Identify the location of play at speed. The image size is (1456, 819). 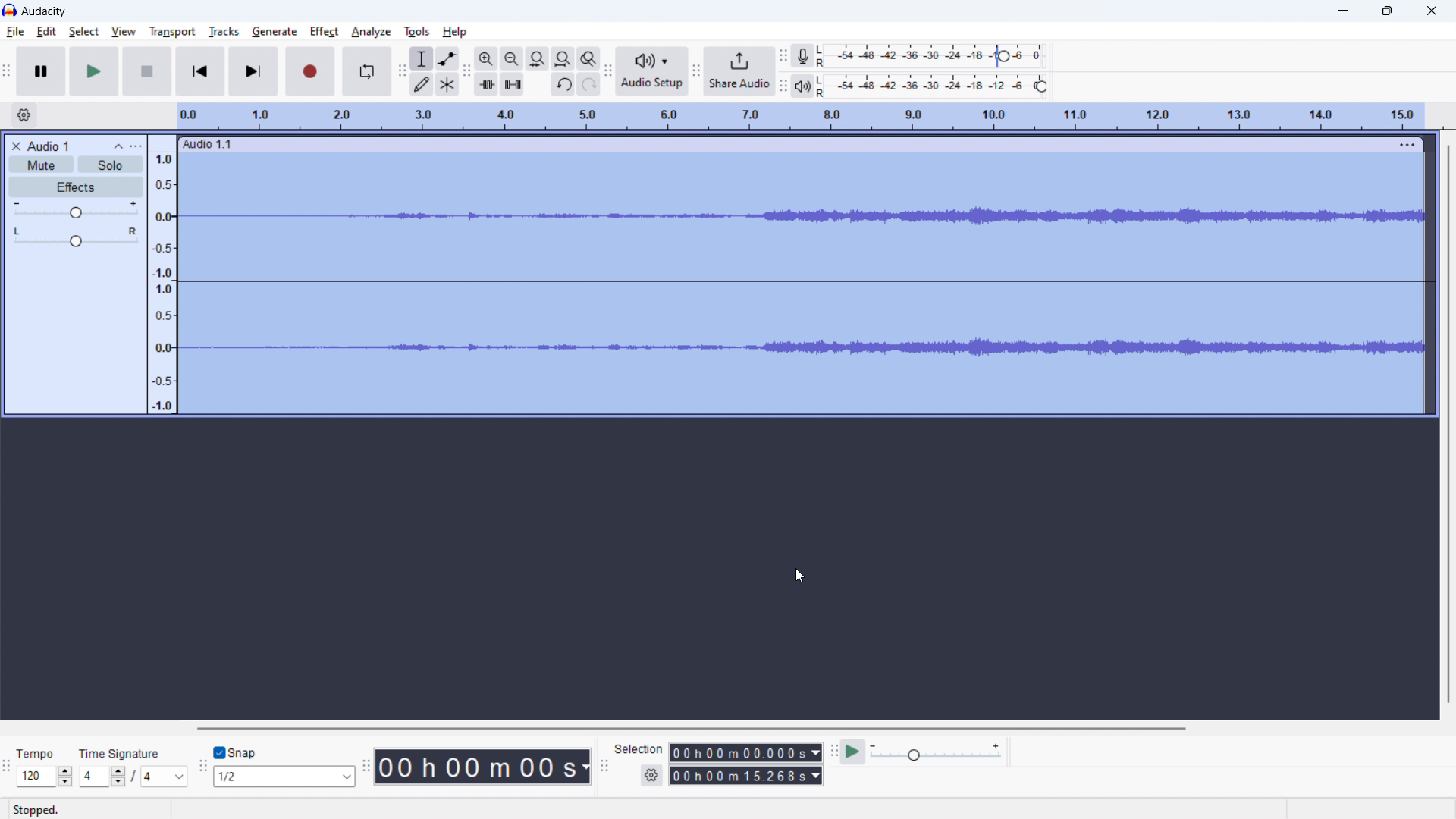
(852, 752).